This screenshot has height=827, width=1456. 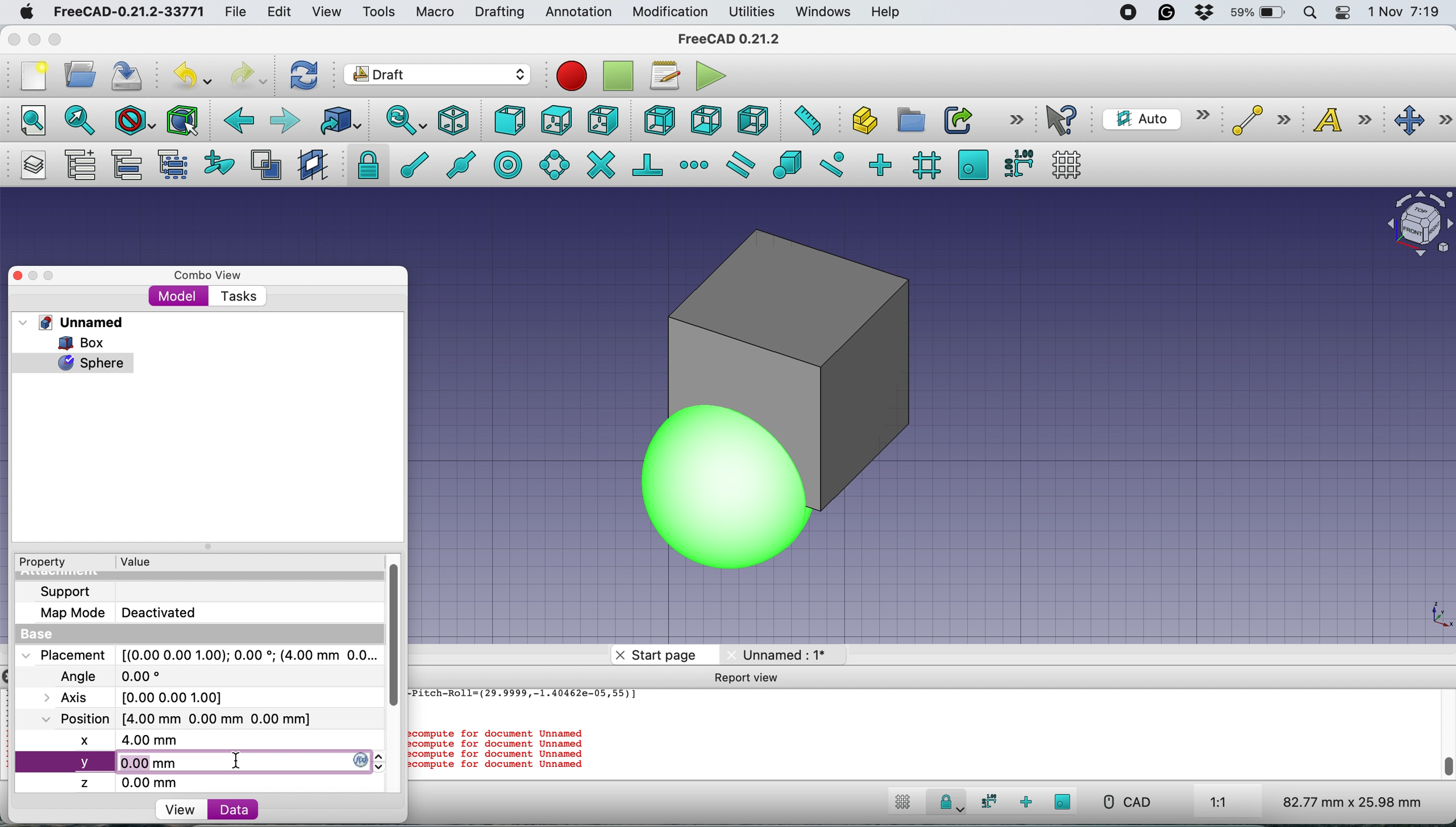 What do you see at coordinates (1063, 120) in the screenshot?
I see `what's this` at bounding box center [1063, 120].